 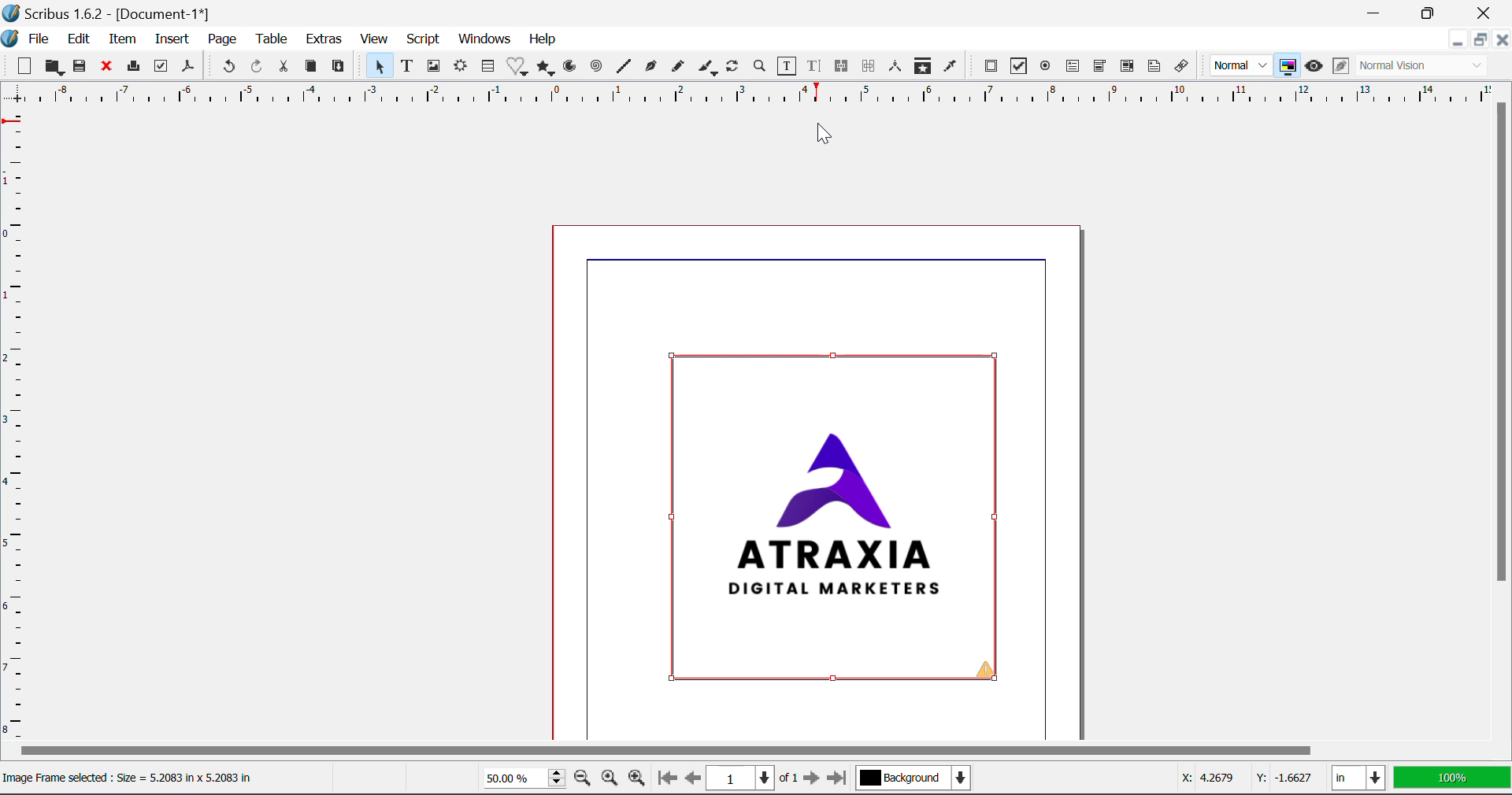 I want to click on Pdf Push Button, so click(x=991, y=68).